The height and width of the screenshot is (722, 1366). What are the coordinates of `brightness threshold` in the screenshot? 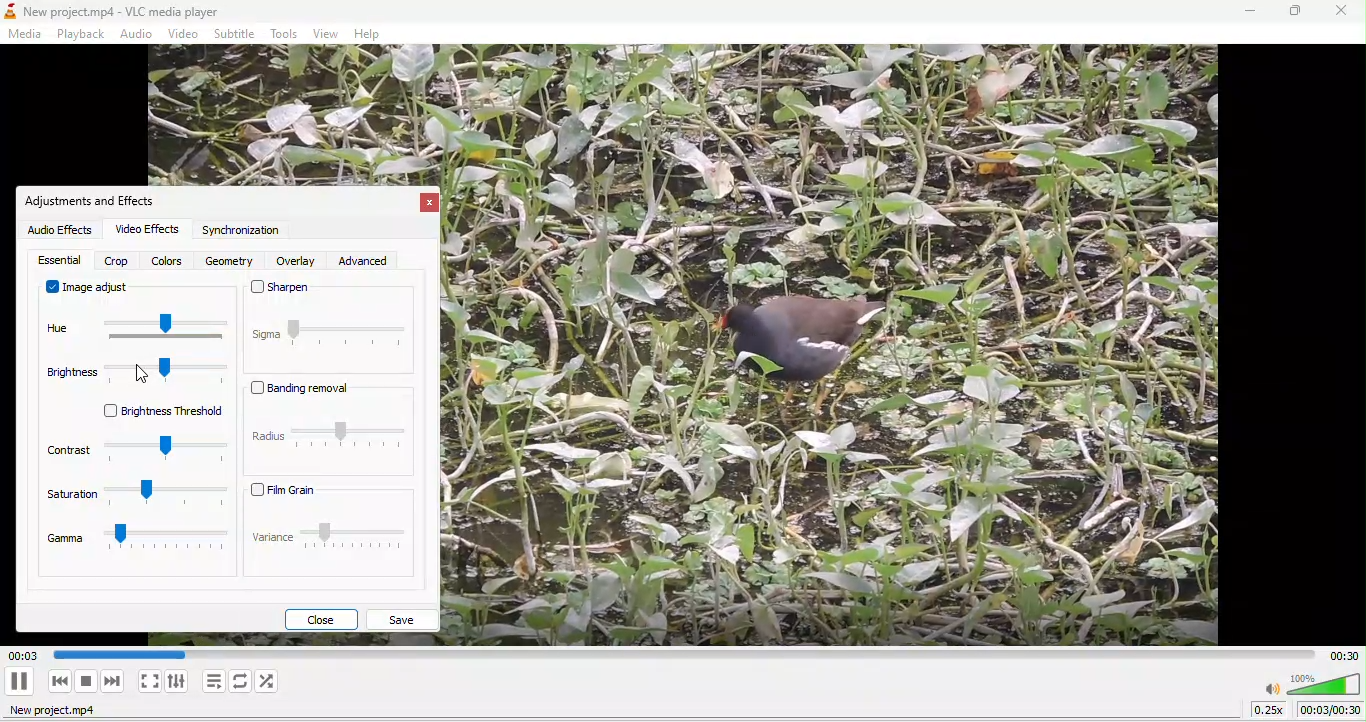 It's located at (149, 415).